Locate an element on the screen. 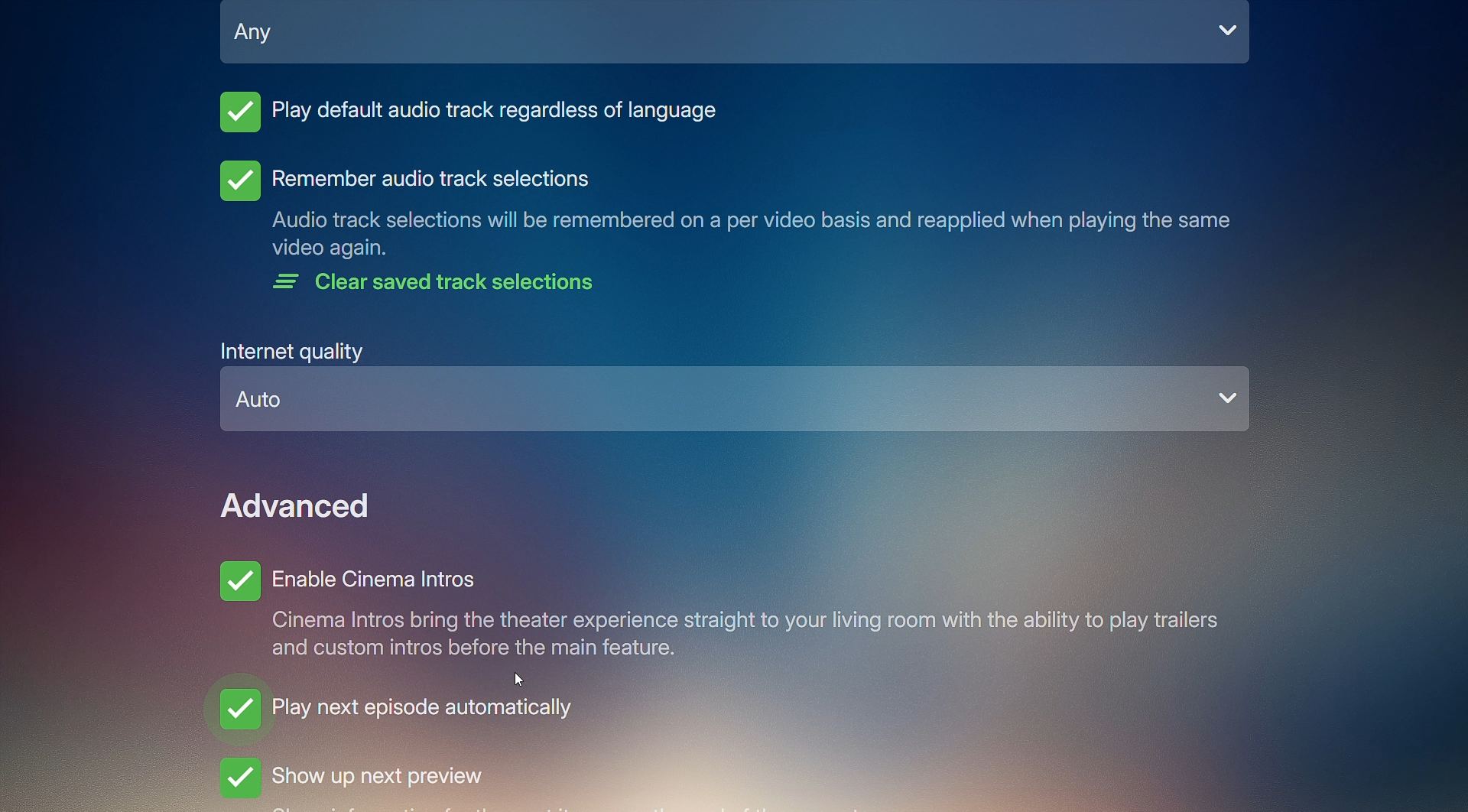 Image resolution: width=1468 pixels, height=812 pixels. Any is located at coordinates (736, 40).